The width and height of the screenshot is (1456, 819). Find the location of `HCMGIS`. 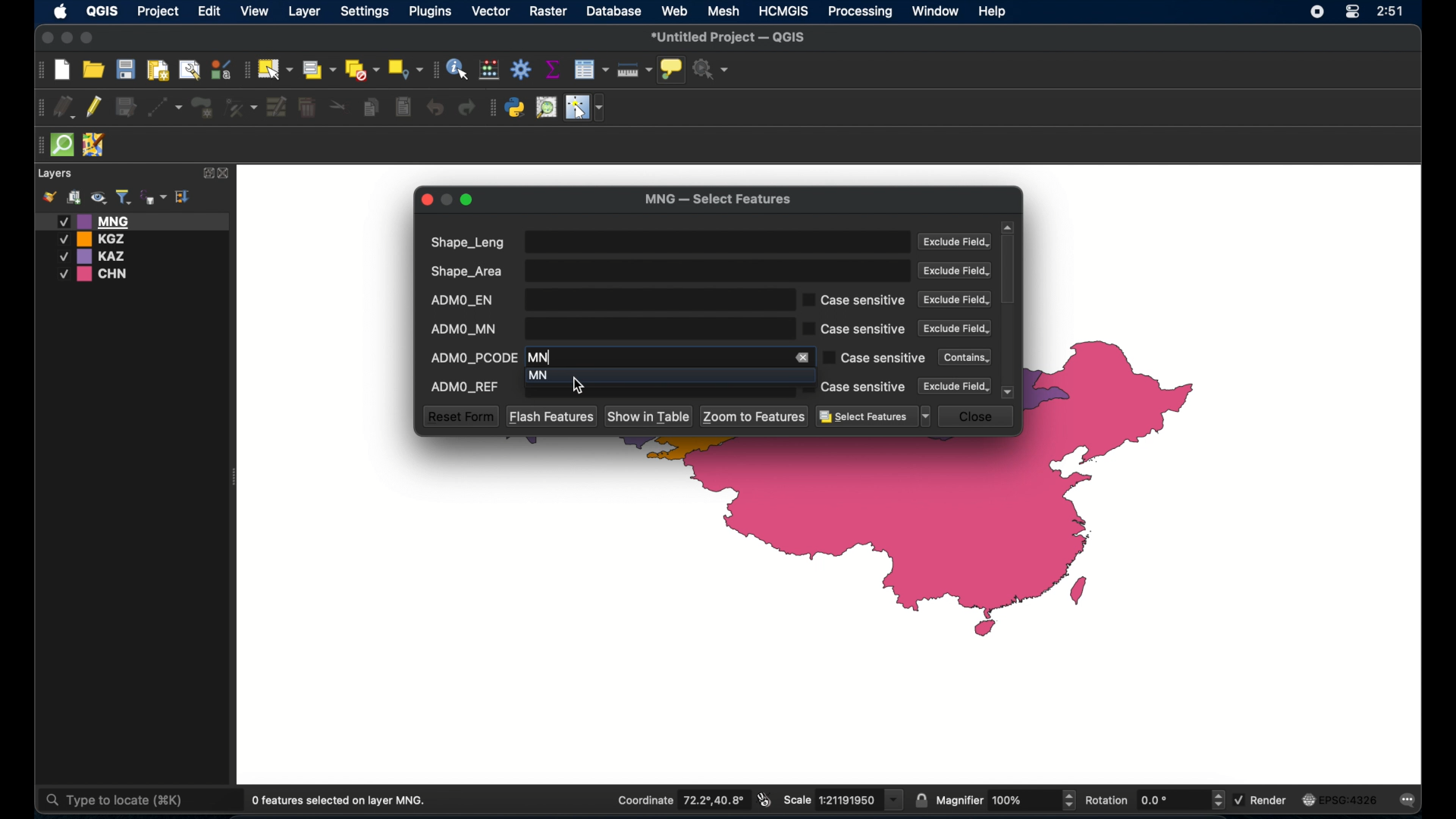

HCMGIS is located at coordinates (784, 11).